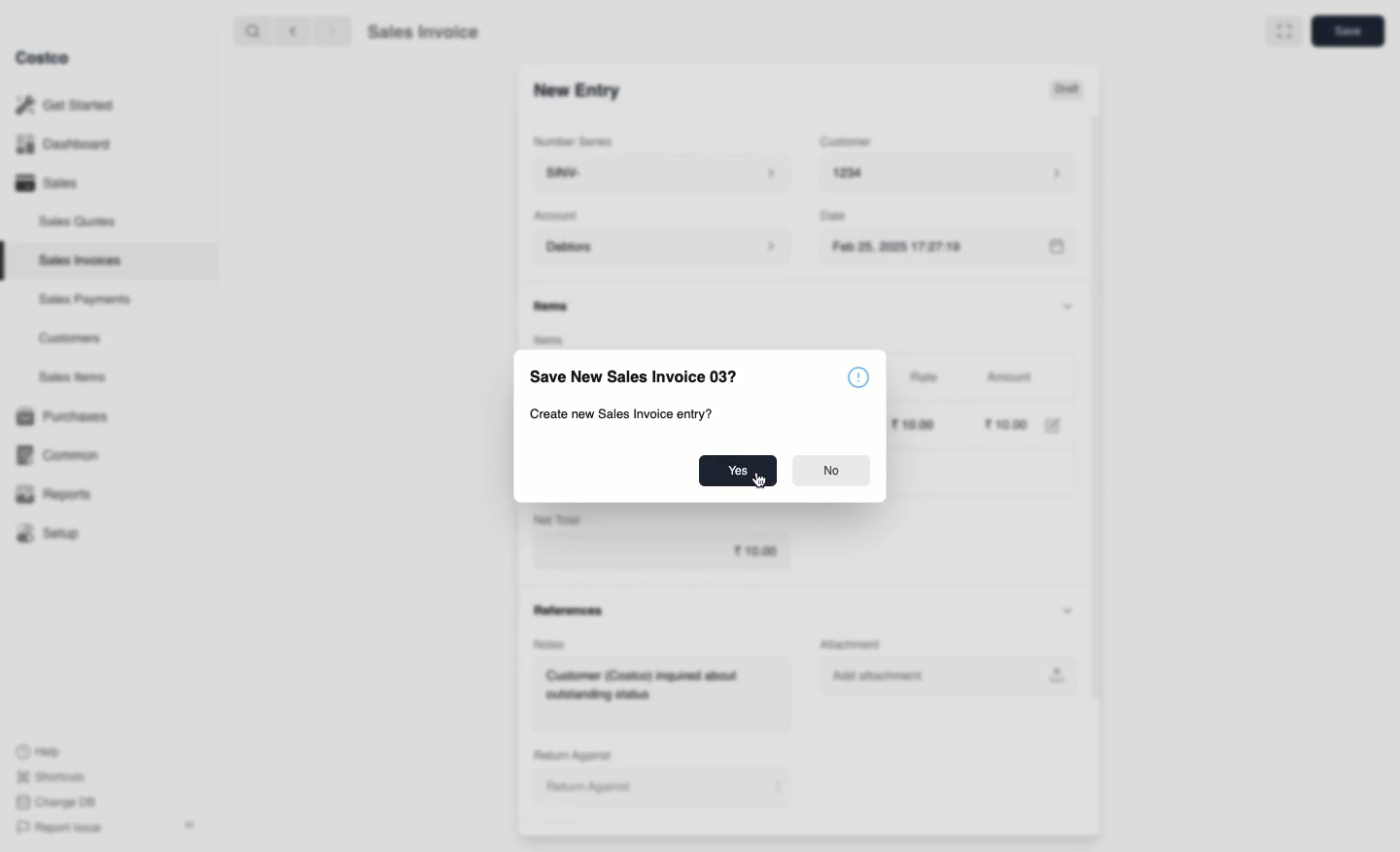 This screenshot has height=852, width=1400. Describe the element at coordinates (842, 218) in the screenshot. I see `Date` at that location.